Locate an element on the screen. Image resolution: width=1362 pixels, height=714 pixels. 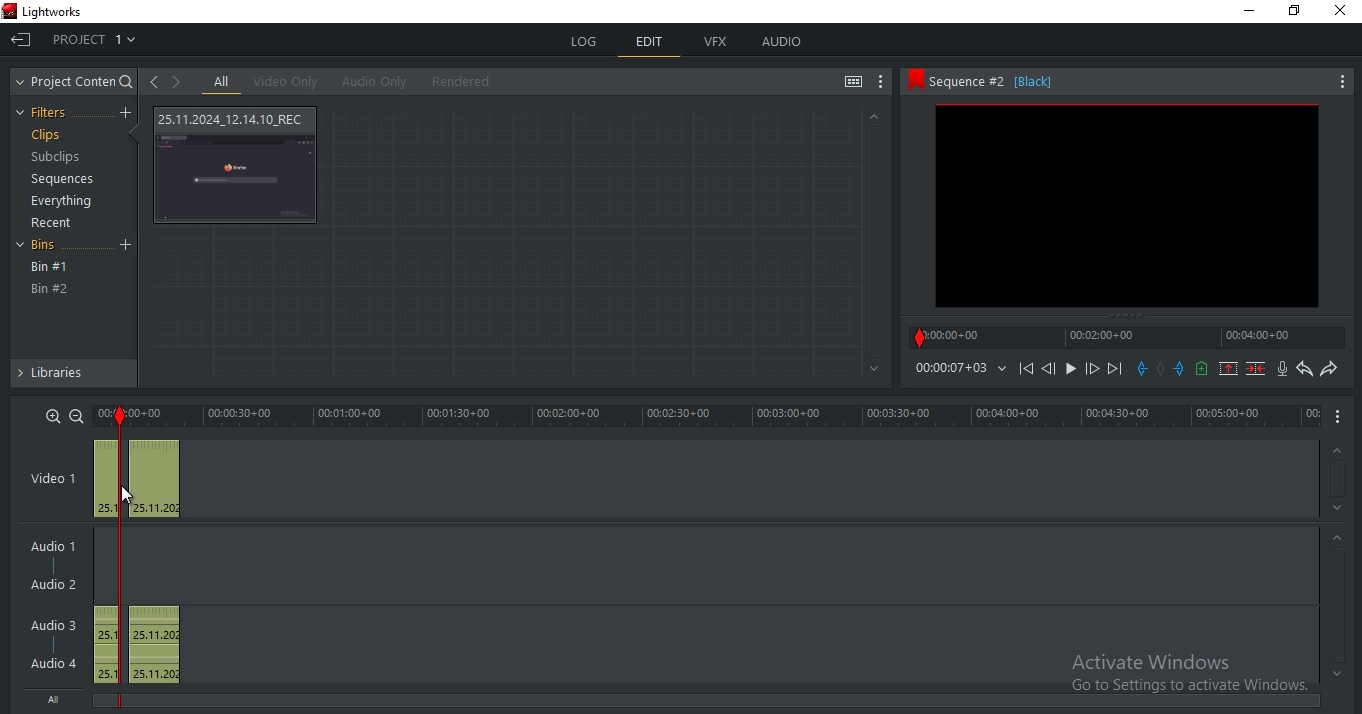
All is located at coordinates (59, 701).